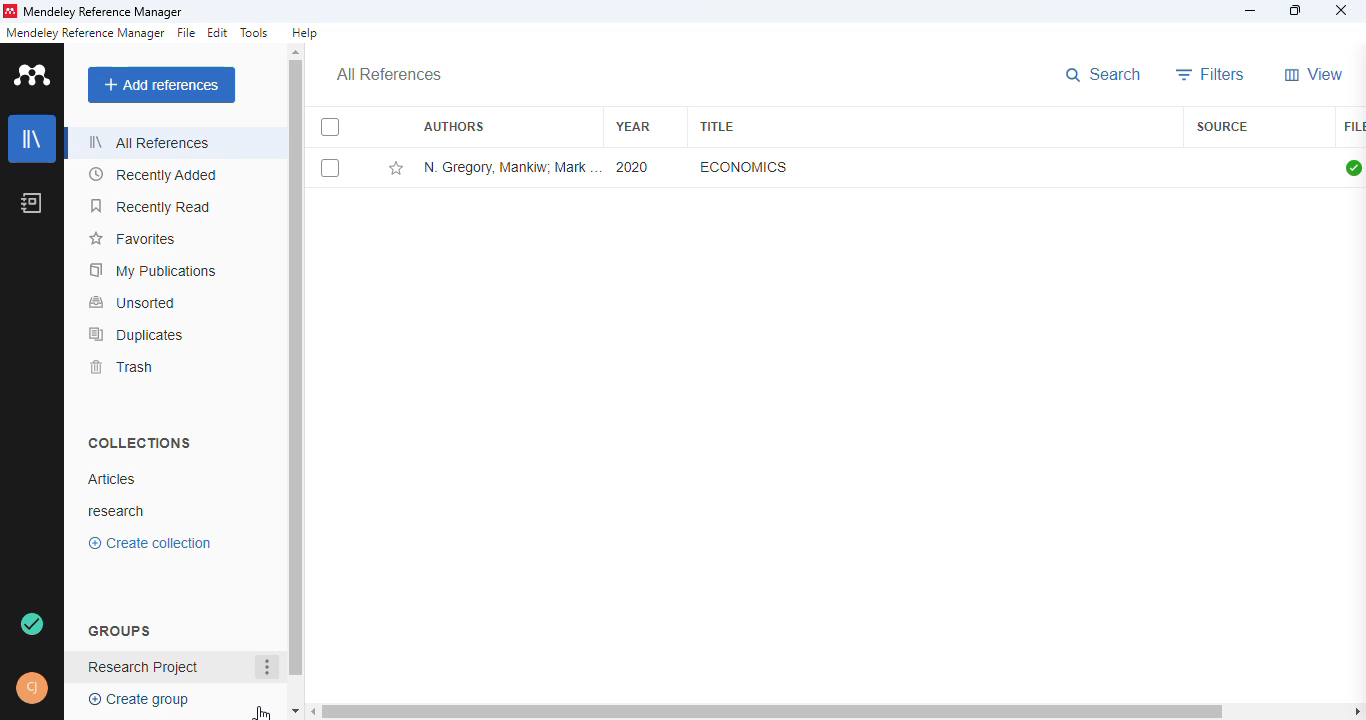  Describe the element at coordinates (186, 32) in the screenshot. I see `file` at that location.